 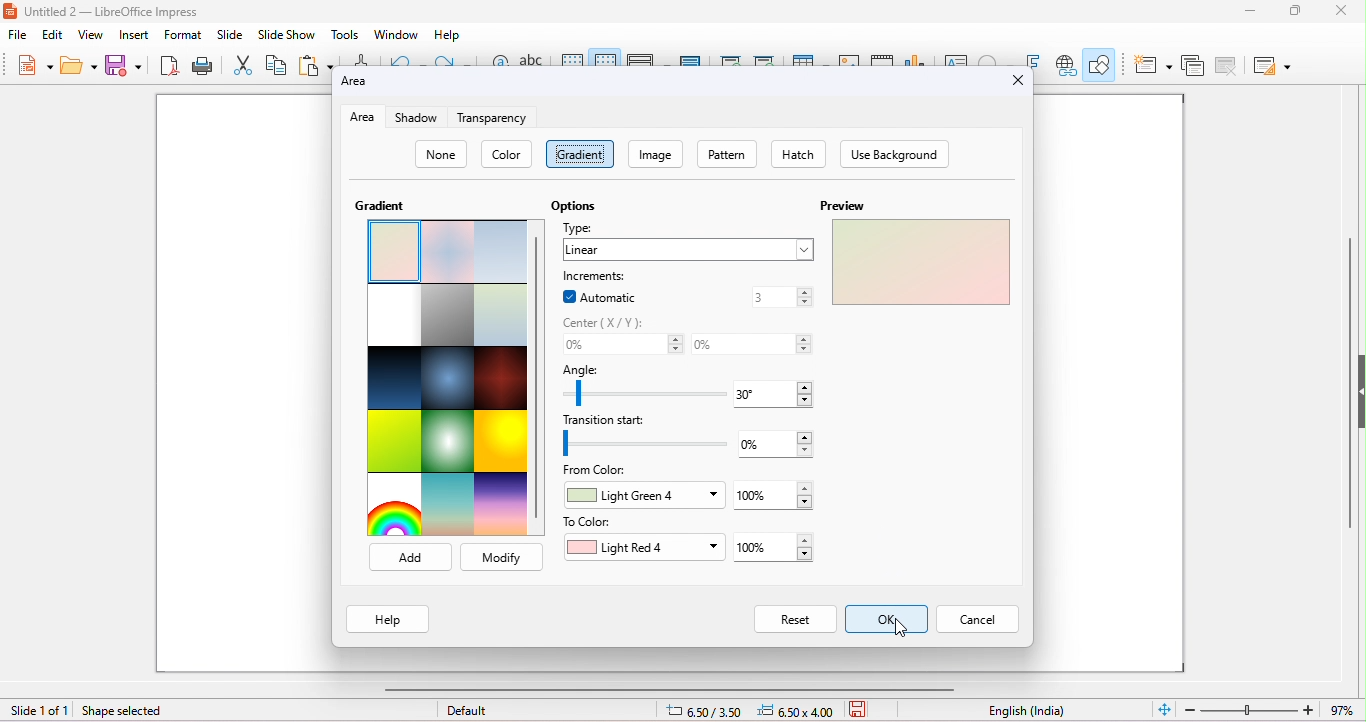 I want to click on fit slide to current window, so click(x=1165, y=708).